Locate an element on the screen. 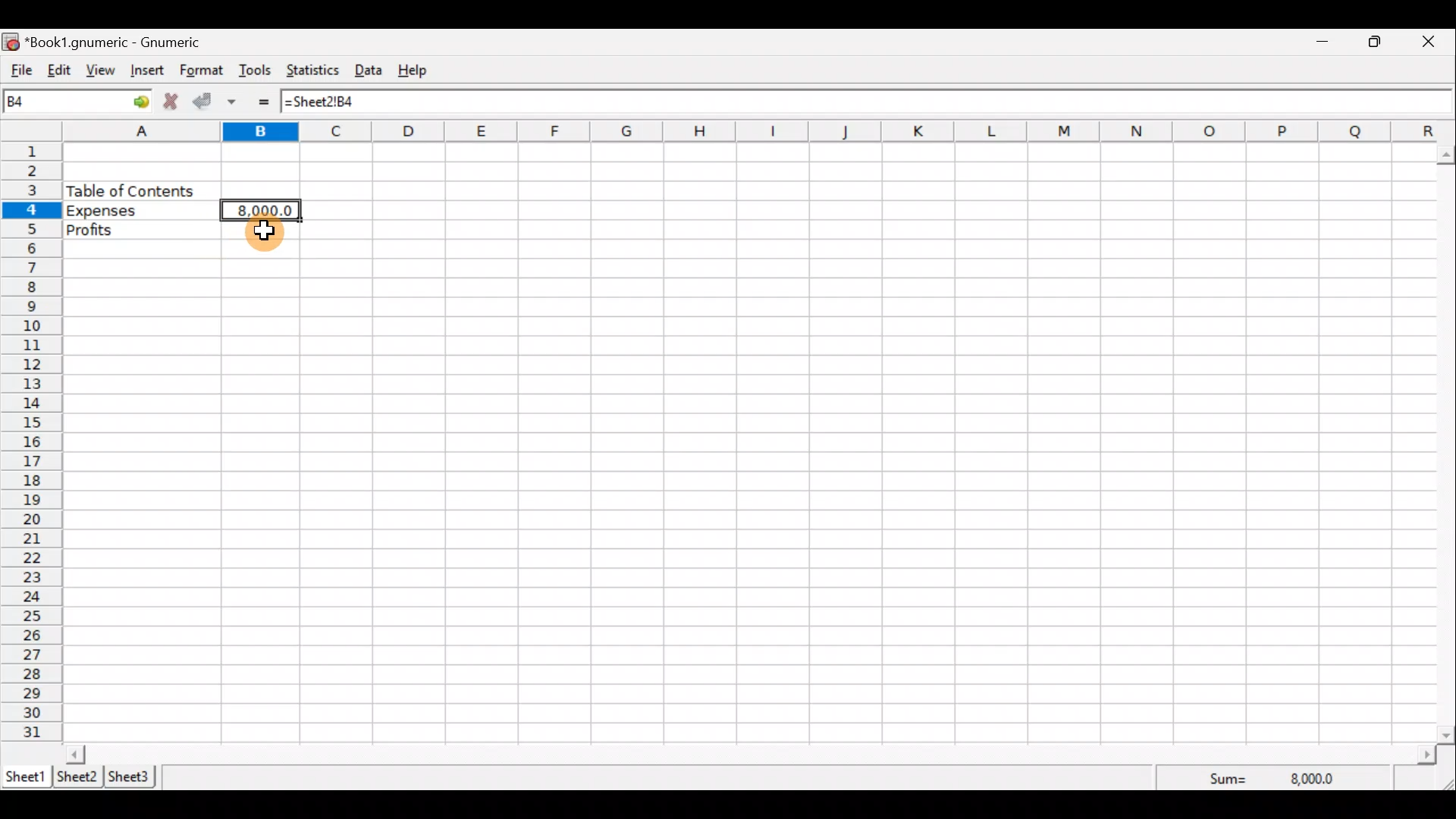 The width and height of the screenshot is (1456, 819). Format is located at coordinates (202, 71).